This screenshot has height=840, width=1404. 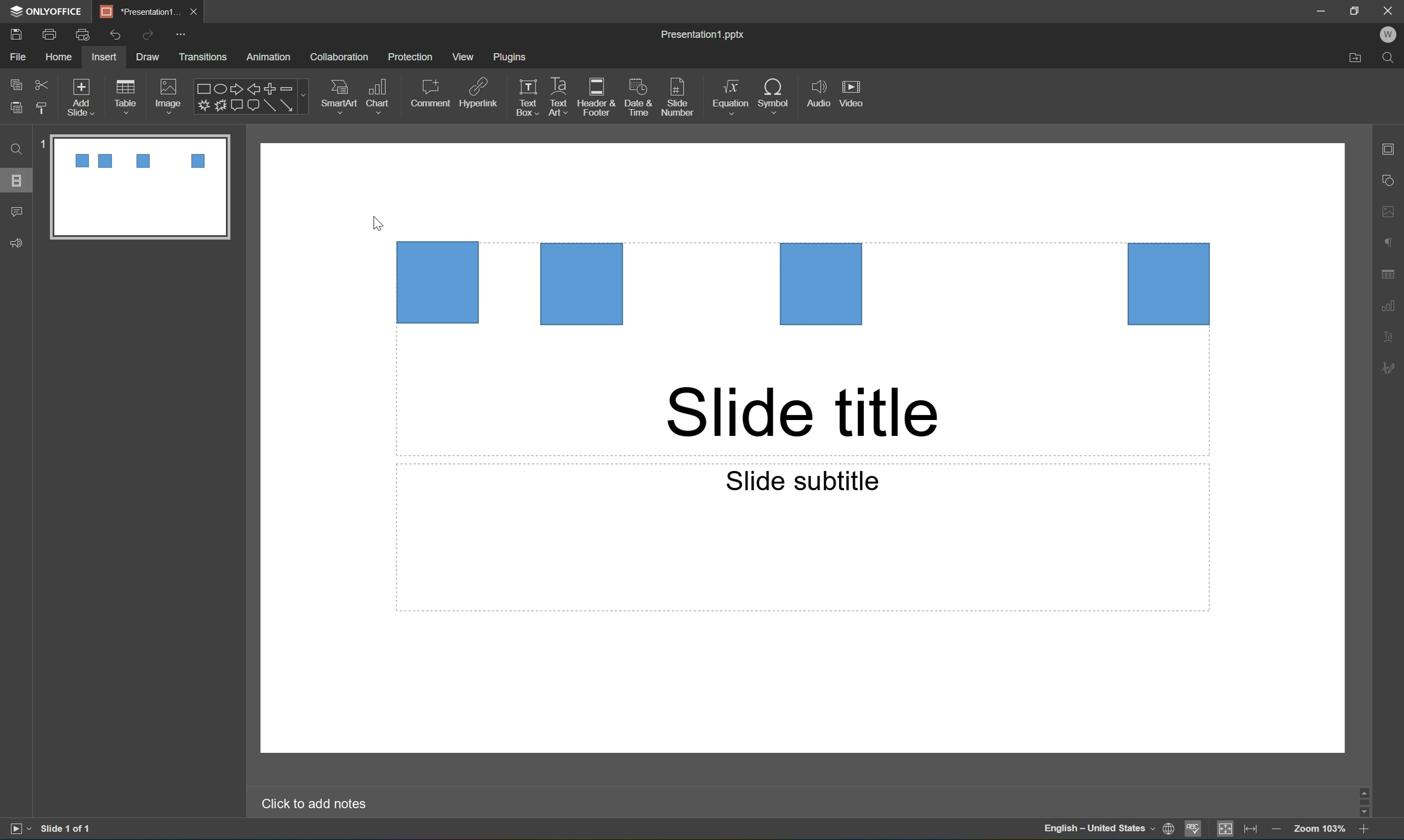 What do you see at coordinates (480, 91) in the screenshot?
I see `hyperlink` at bounding box center [480, 91].